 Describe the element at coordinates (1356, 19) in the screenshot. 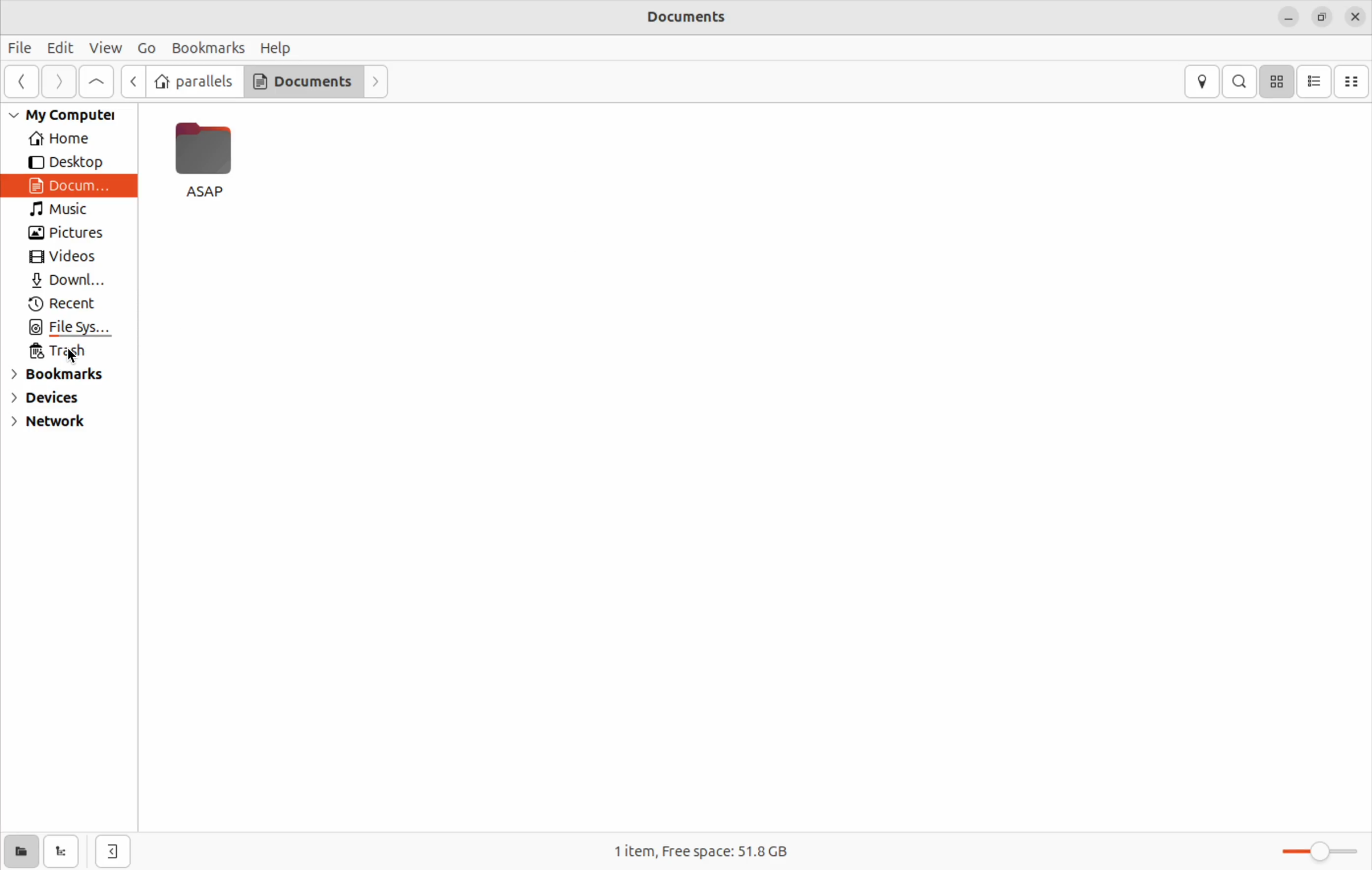

I see `close` at that location.